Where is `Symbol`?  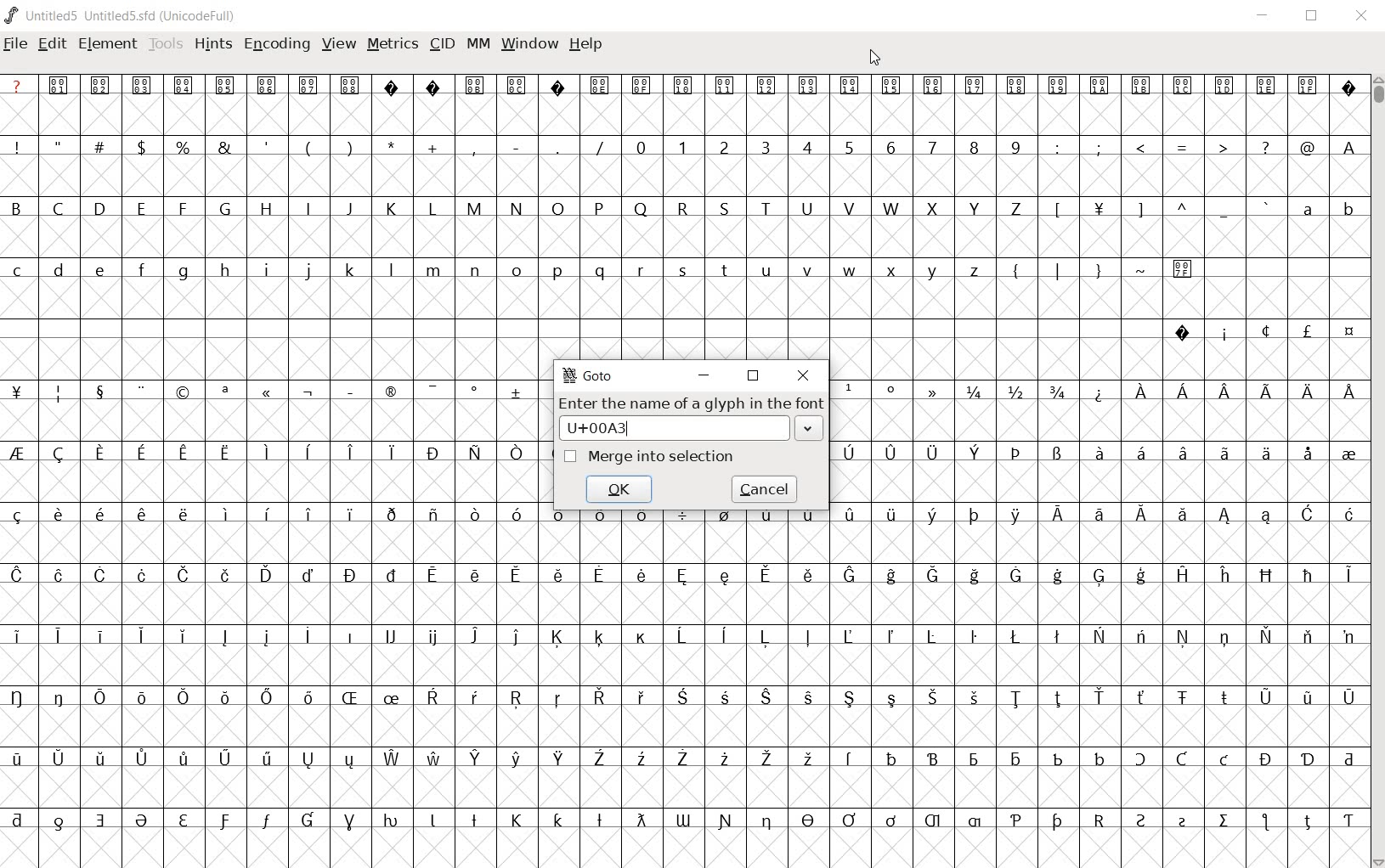
Symbol is located at coordinates (266, 449).